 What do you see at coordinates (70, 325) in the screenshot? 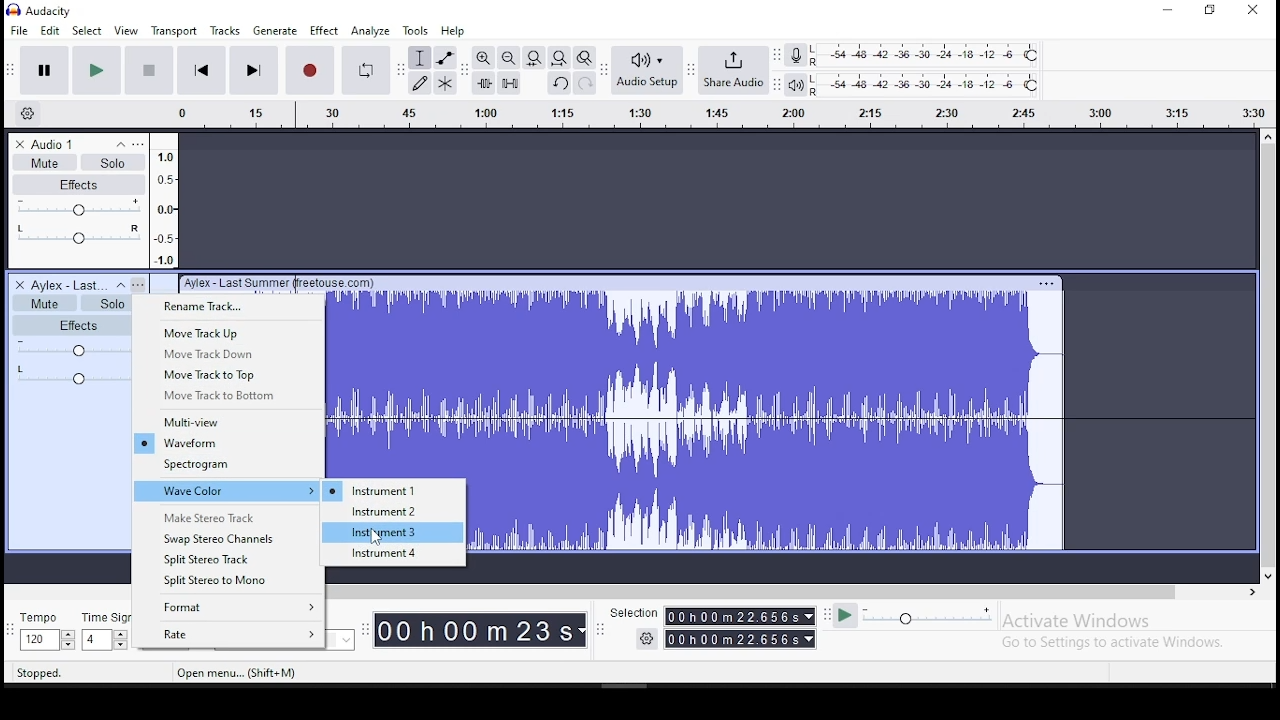
I see `effects` at bounding box center [70, 325].